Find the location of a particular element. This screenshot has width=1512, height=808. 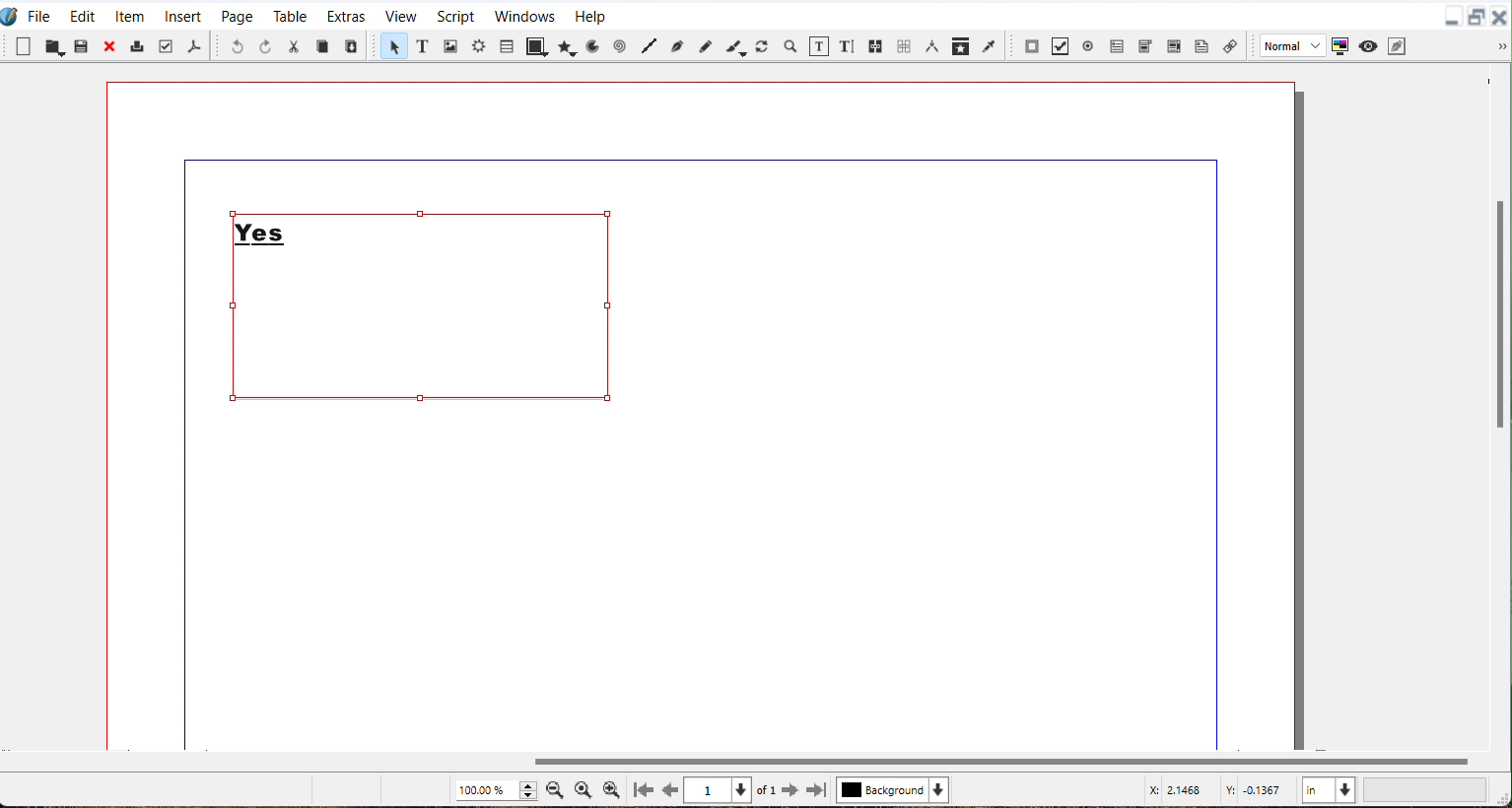

PDF Radio button is located at coordinates (1091, 43).